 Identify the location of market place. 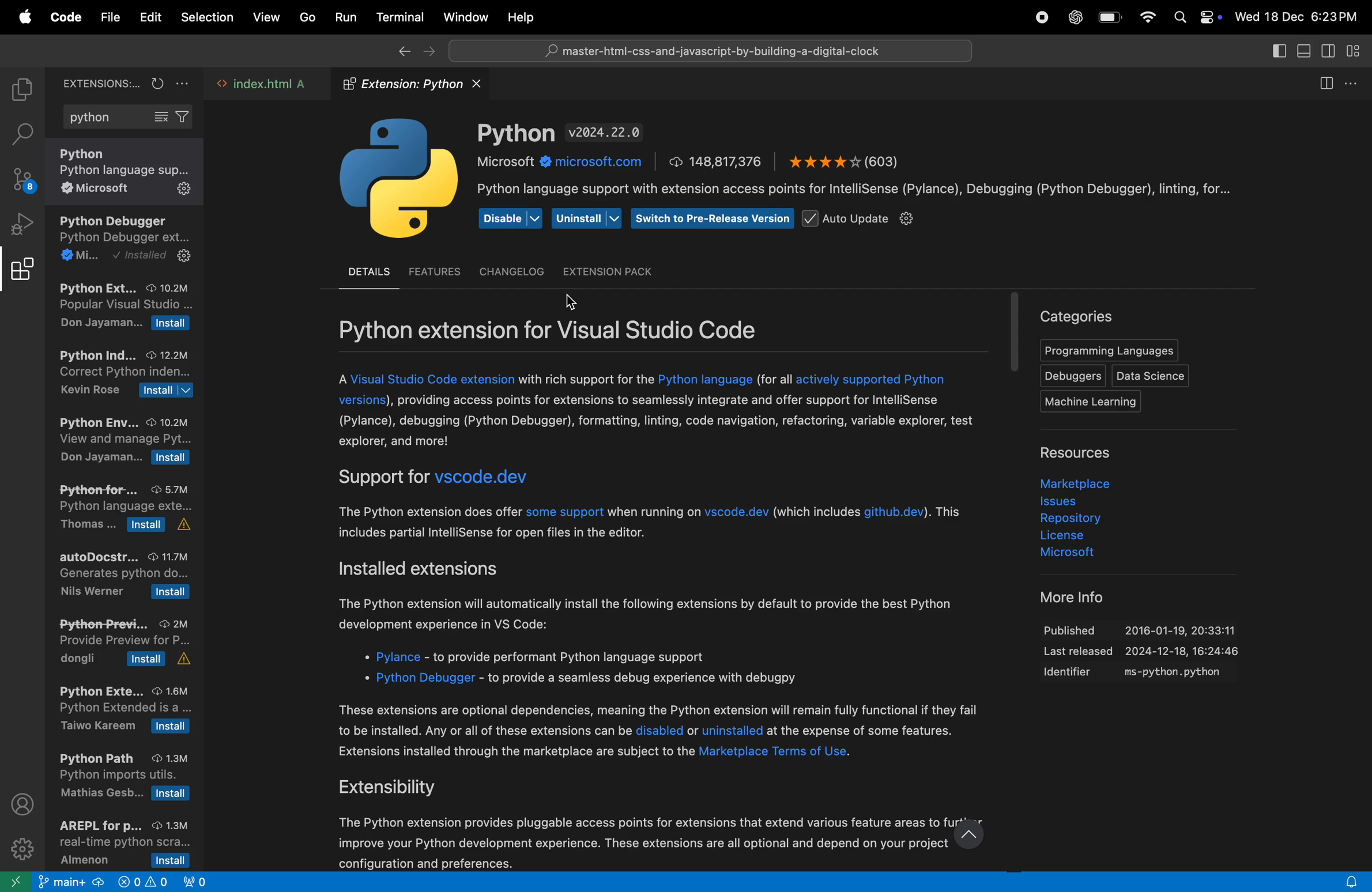
(1072, 482).